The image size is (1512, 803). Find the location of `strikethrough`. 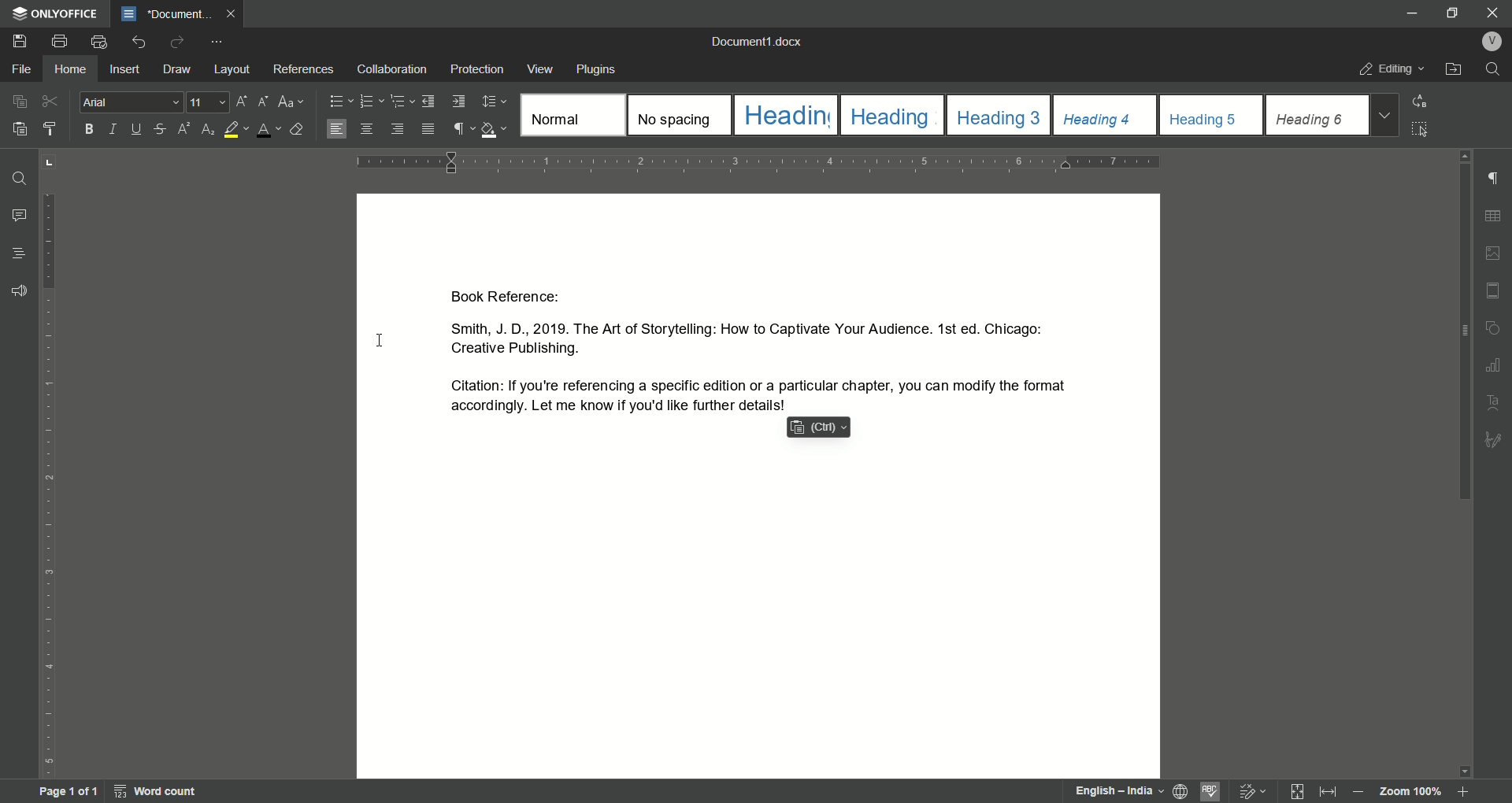

strikethrough is located at coordinates (160, 130).